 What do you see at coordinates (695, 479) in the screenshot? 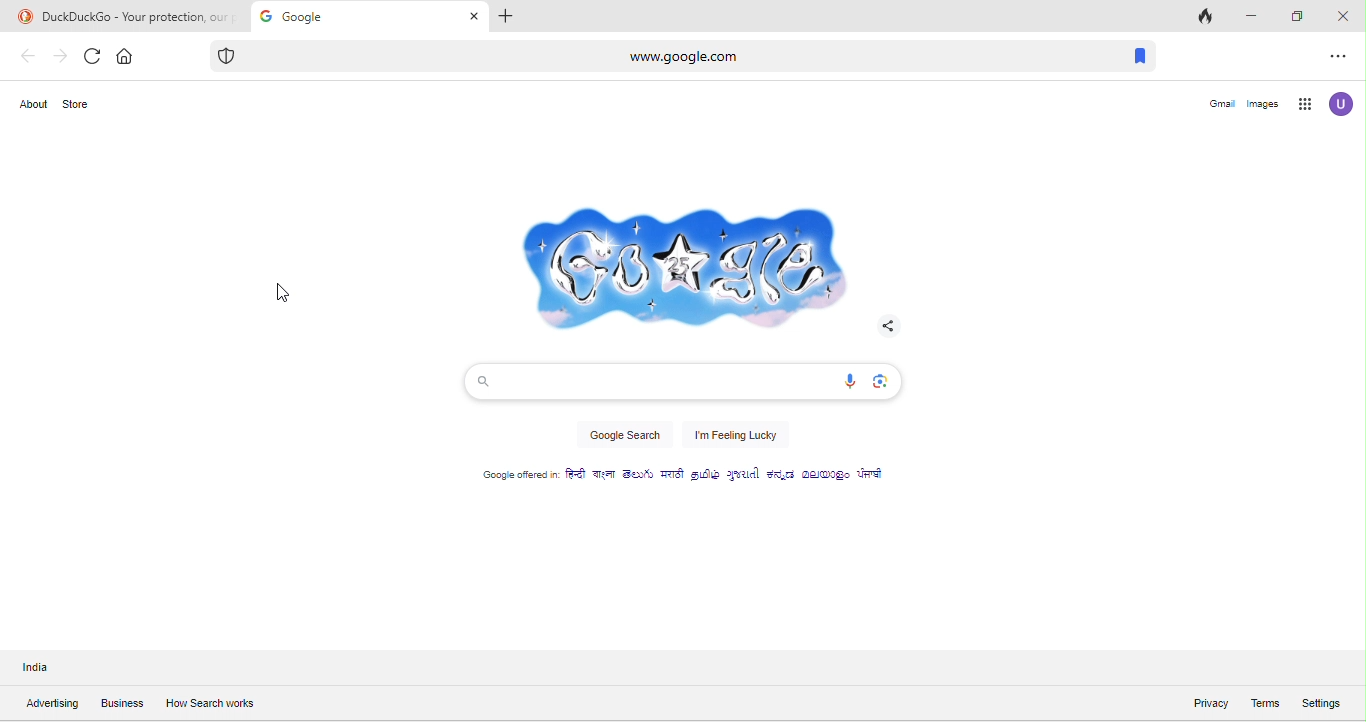
I see `google offered in different type of language` at bounding box center [695, 479].